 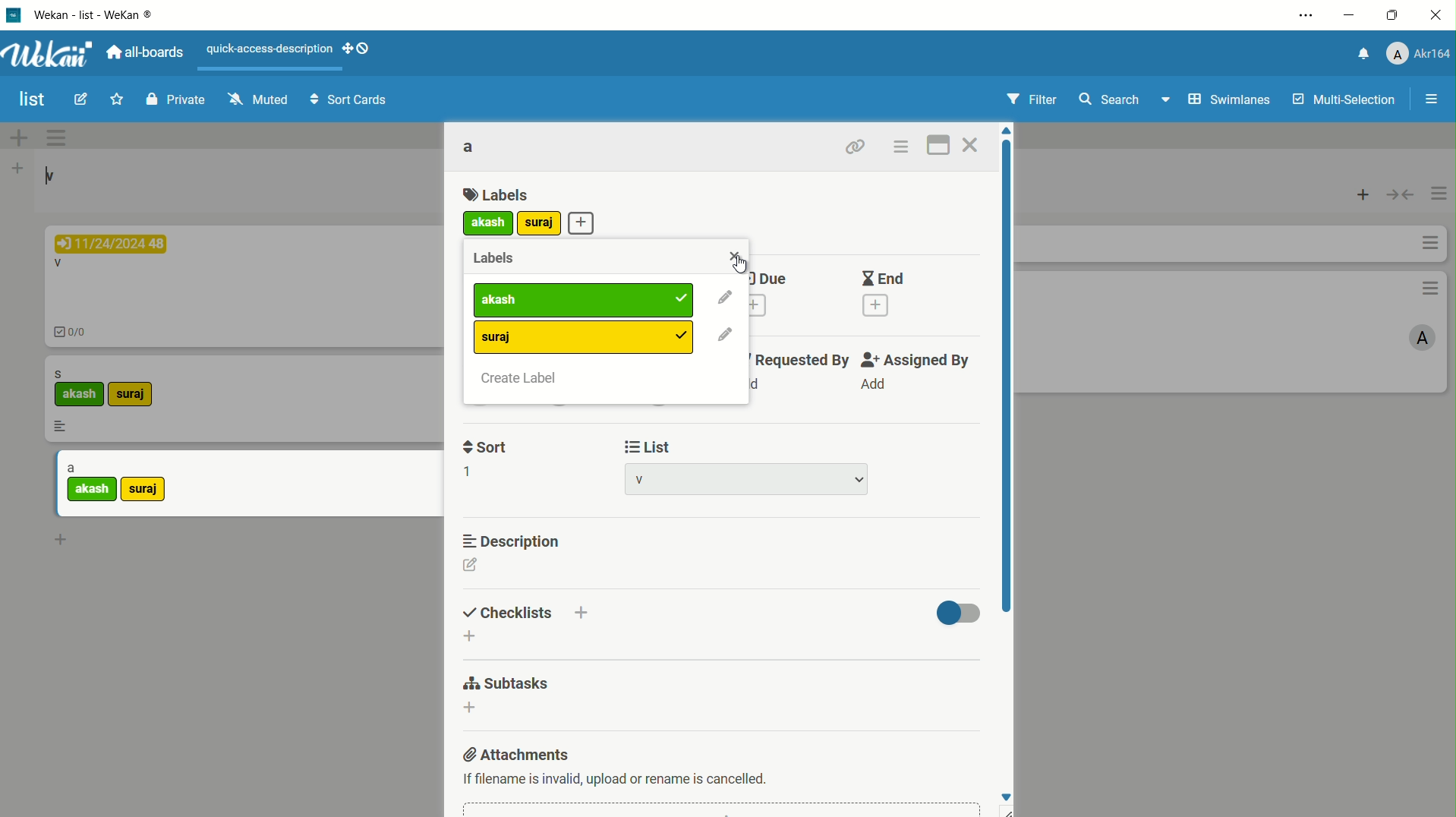 What do you see at coordinates (496, 335) in the screenshot?
I see `suraj` at bounding box center [496, 335].